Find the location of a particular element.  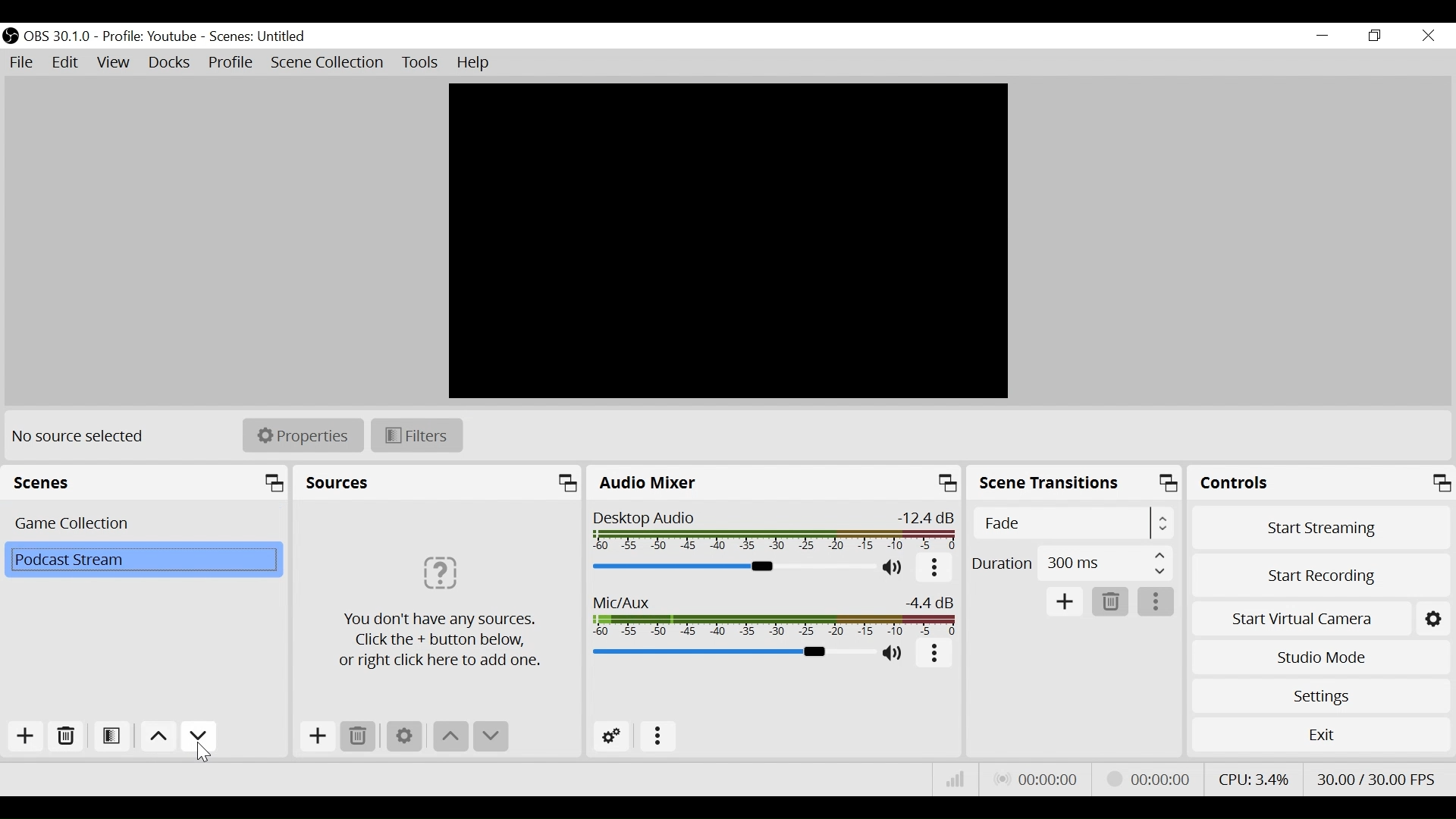

more options is located at coordinates (1158, 602).